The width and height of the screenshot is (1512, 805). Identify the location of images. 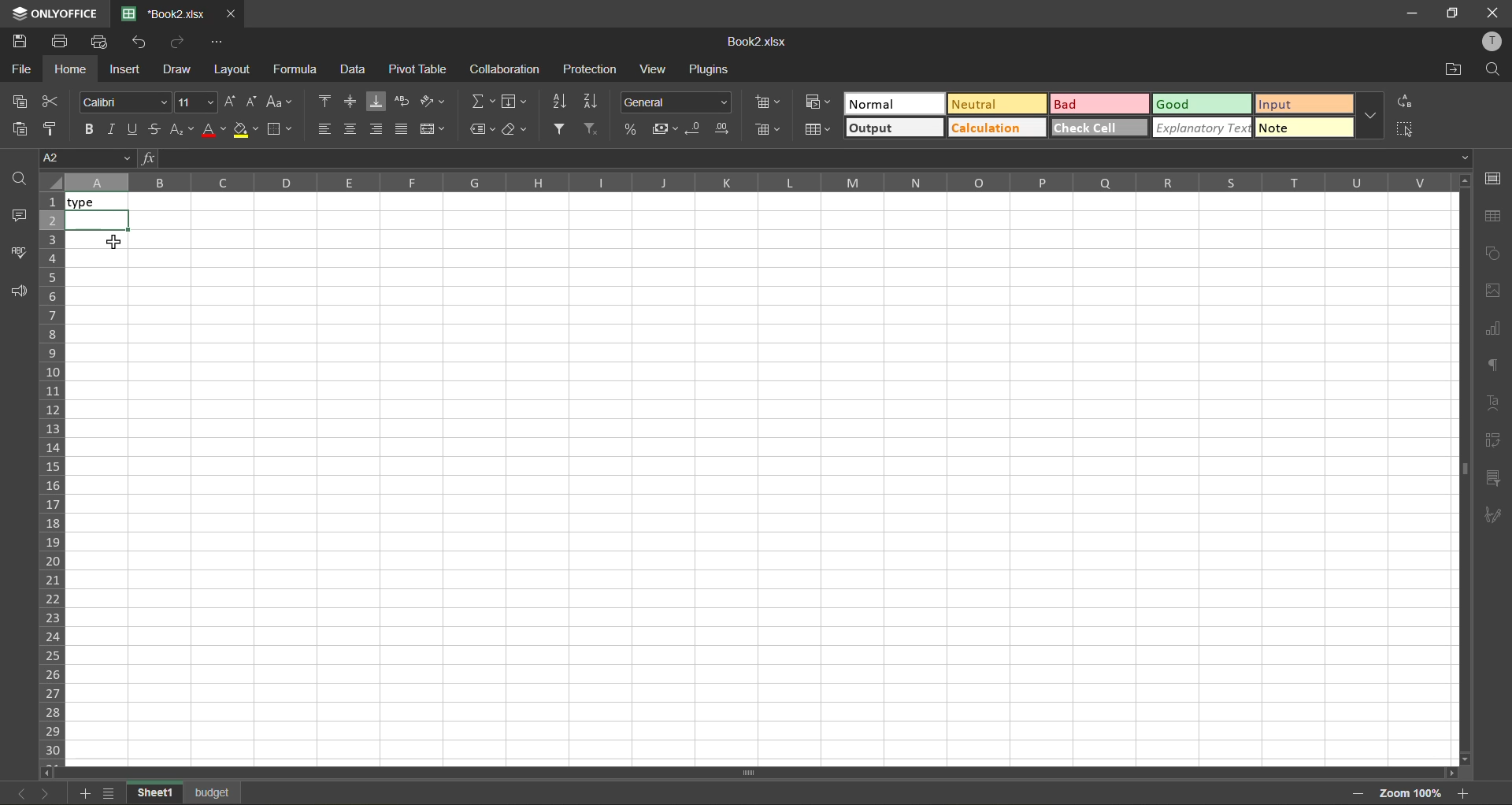
(1495, 291).